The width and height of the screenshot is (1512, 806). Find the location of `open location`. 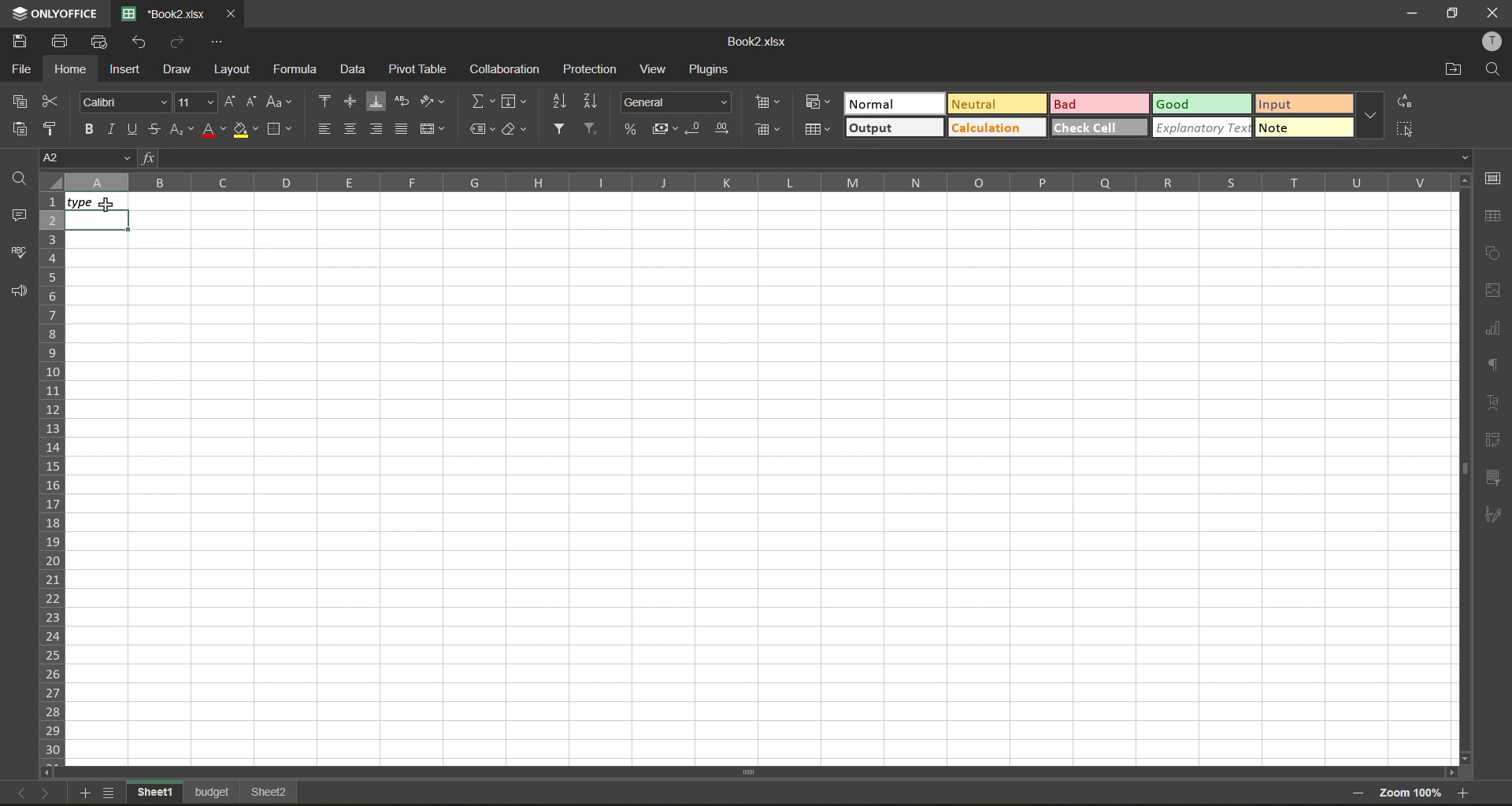

open location is located at coordinates (1451, 69).